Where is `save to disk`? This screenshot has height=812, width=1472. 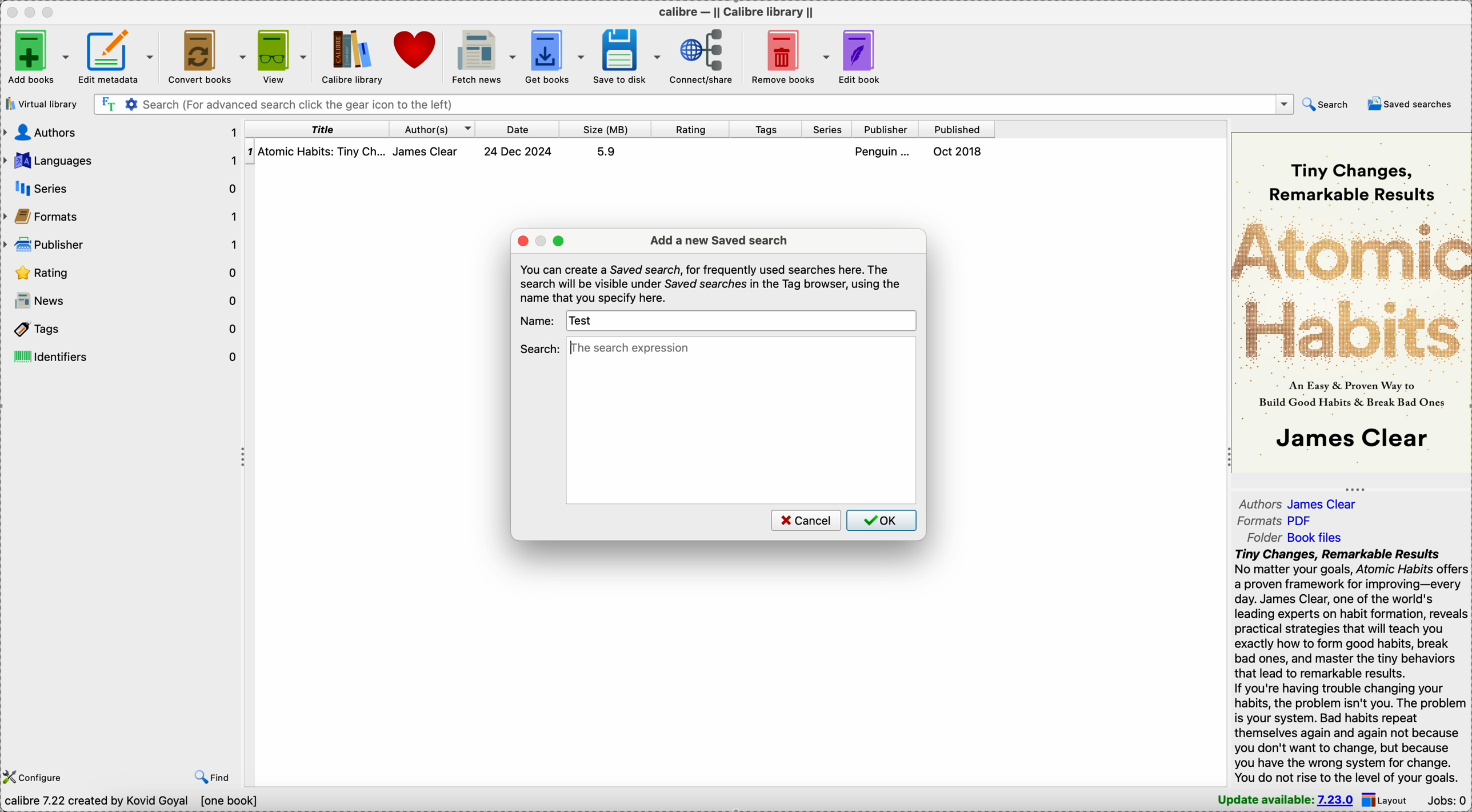 save to disk is located at coordinates (629, 55).